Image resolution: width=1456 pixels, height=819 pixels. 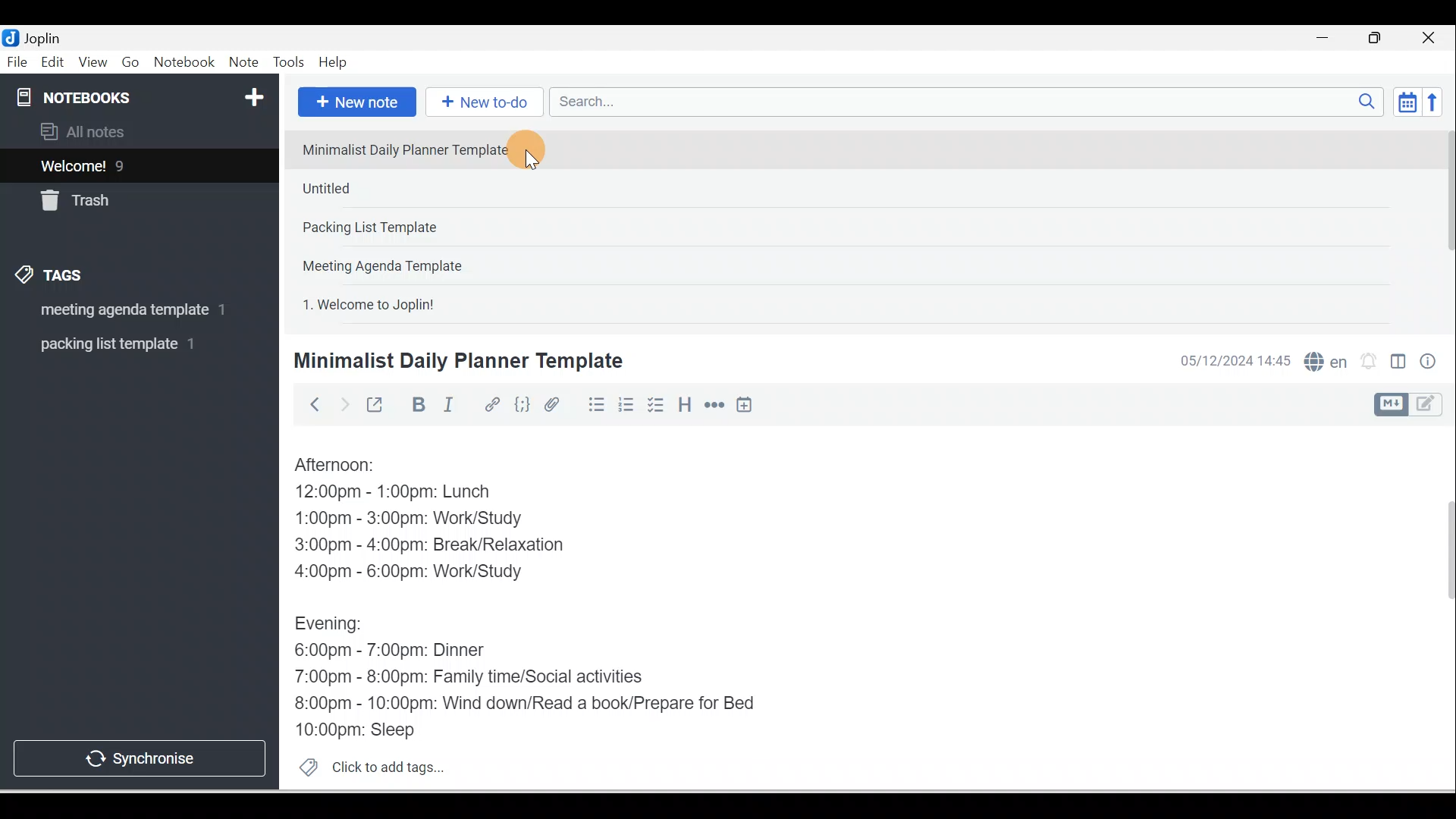 What do you see at coordinates (377, 408) in the screenshot?
I see `Toggle external editing` at bounding box center [377, 408].